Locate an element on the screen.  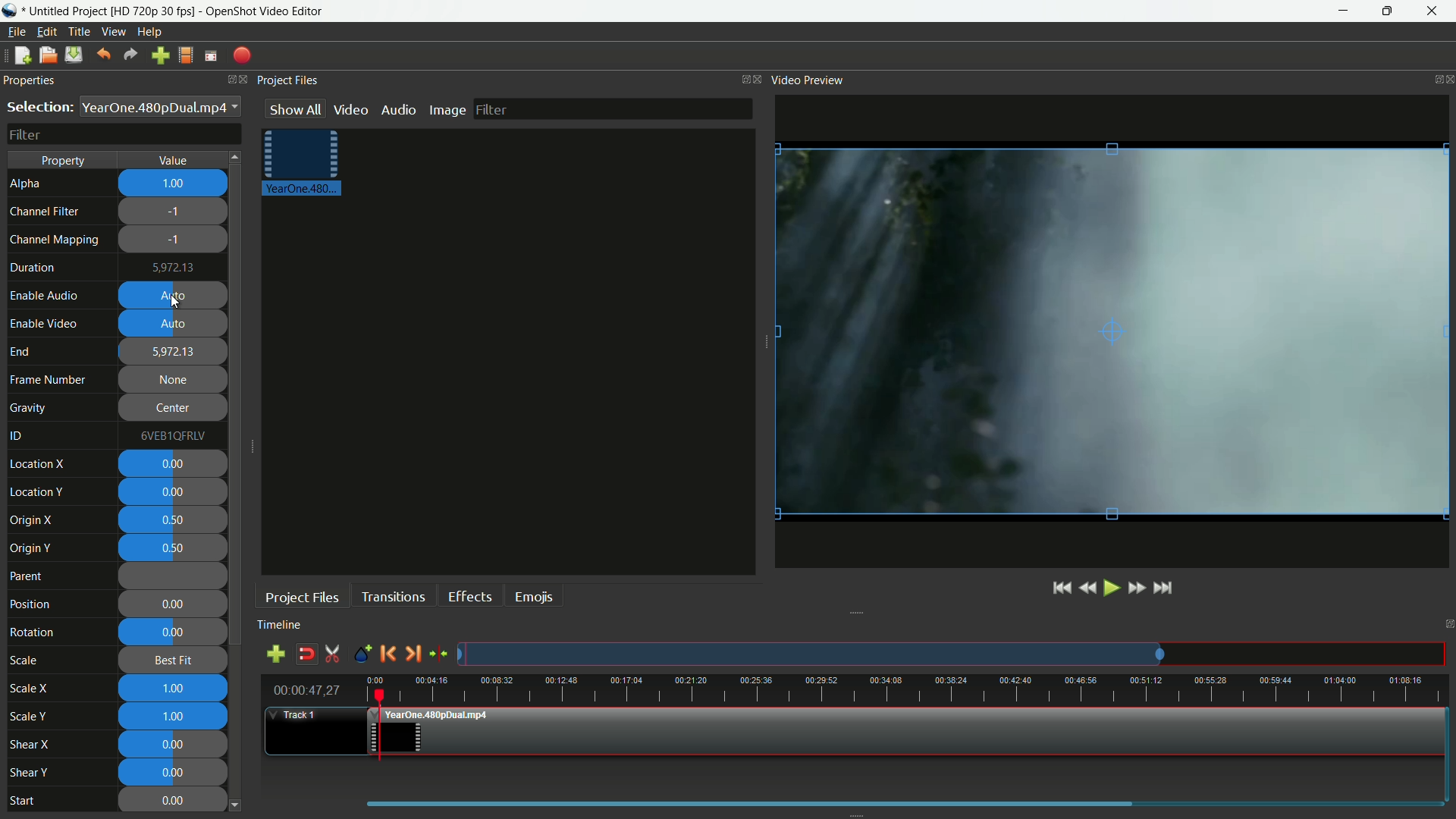
emojis is located at coordinates (532, 595).